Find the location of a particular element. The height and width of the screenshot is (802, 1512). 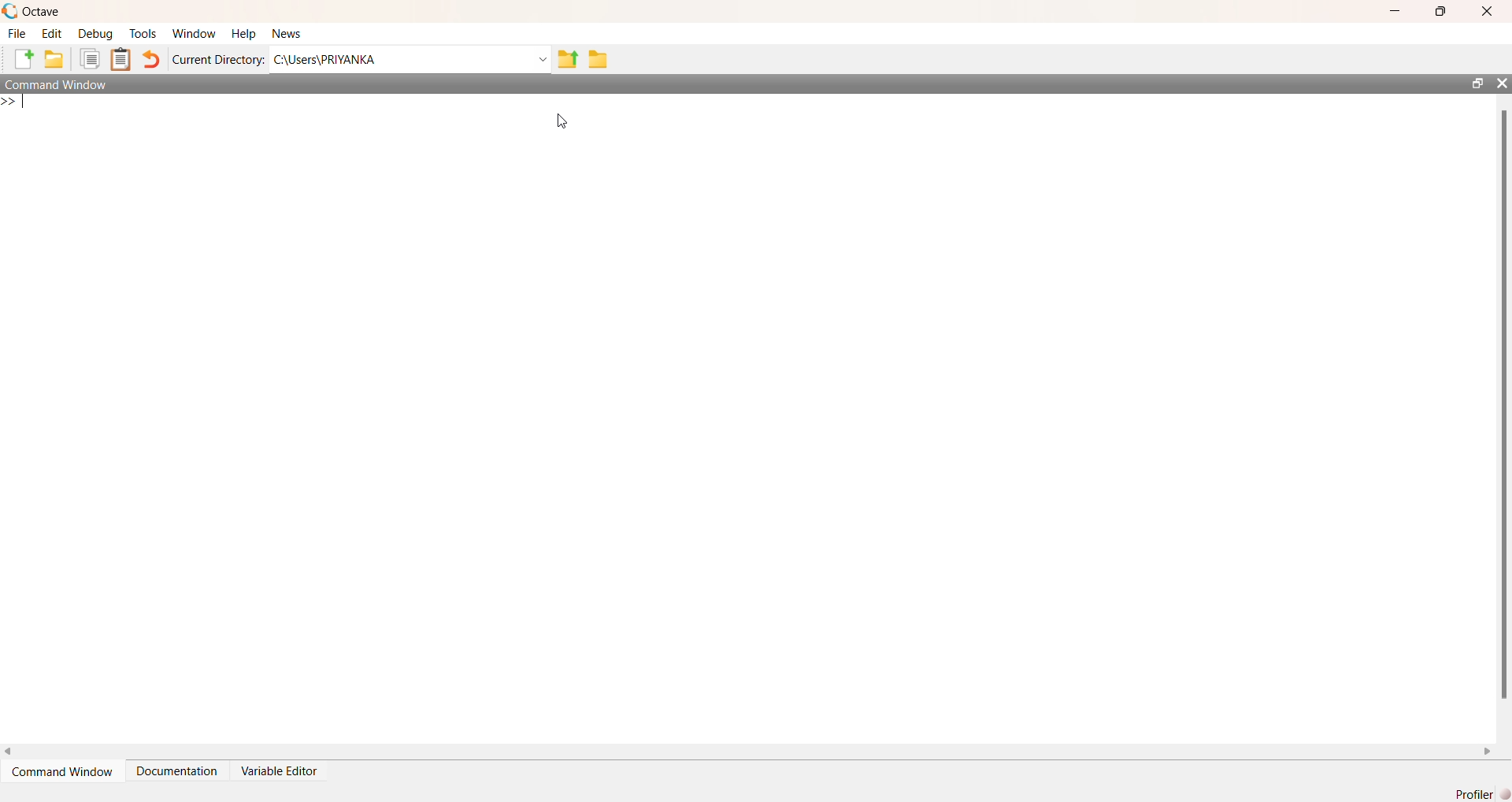

typing cursor is located at coordinates (33, 106).